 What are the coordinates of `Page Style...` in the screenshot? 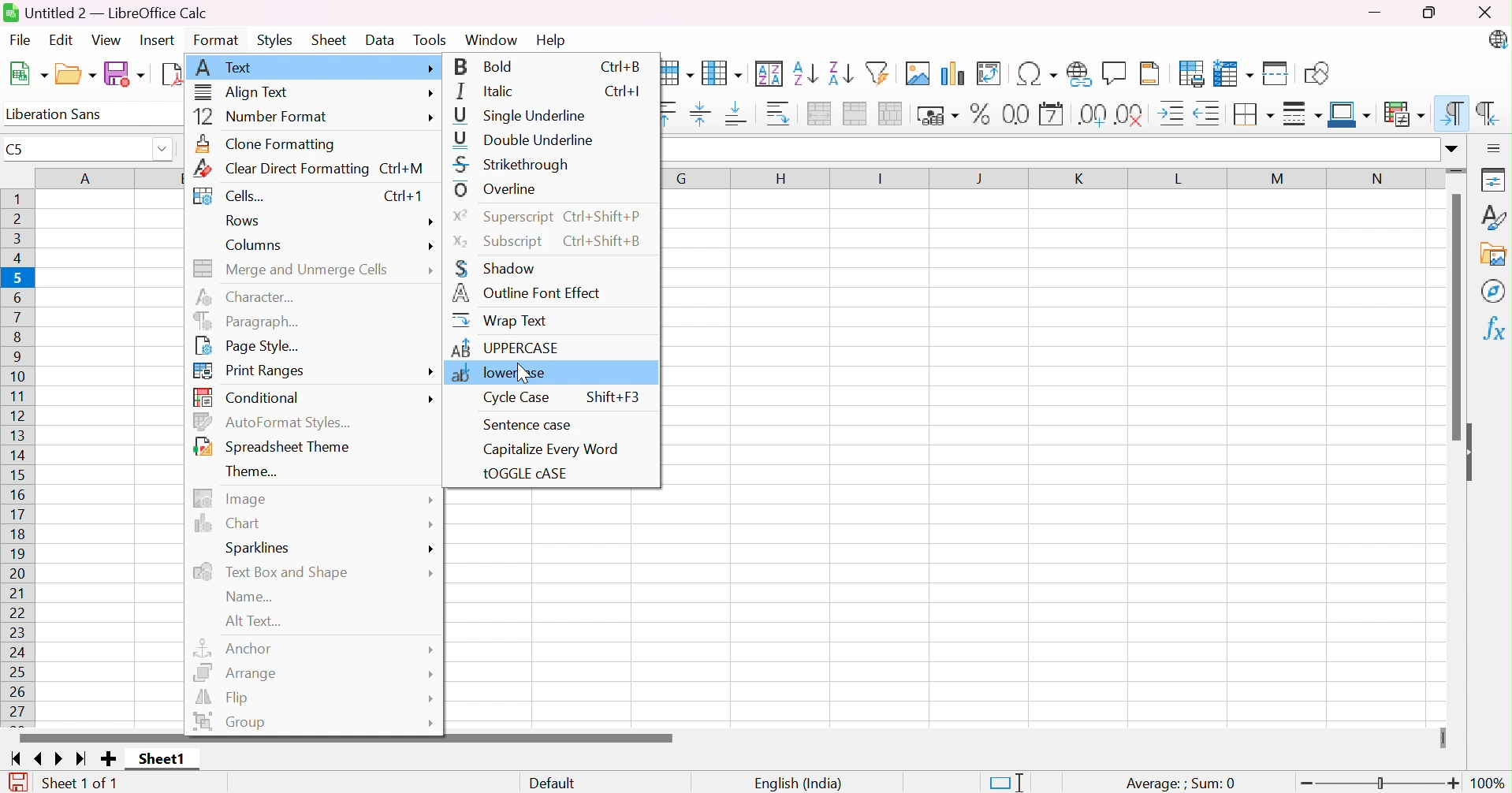 It's located at (244, 345).